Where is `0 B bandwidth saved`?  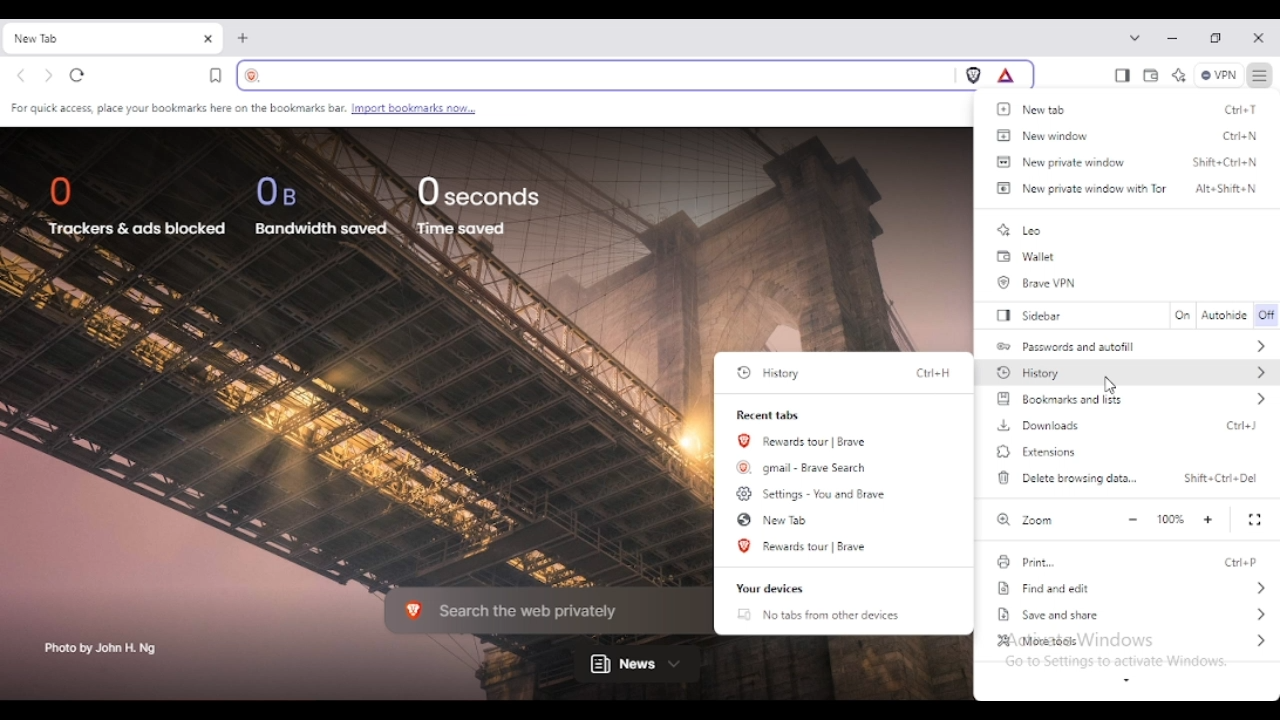 0 B bandwidth saved is located at coordinates (322, 205).